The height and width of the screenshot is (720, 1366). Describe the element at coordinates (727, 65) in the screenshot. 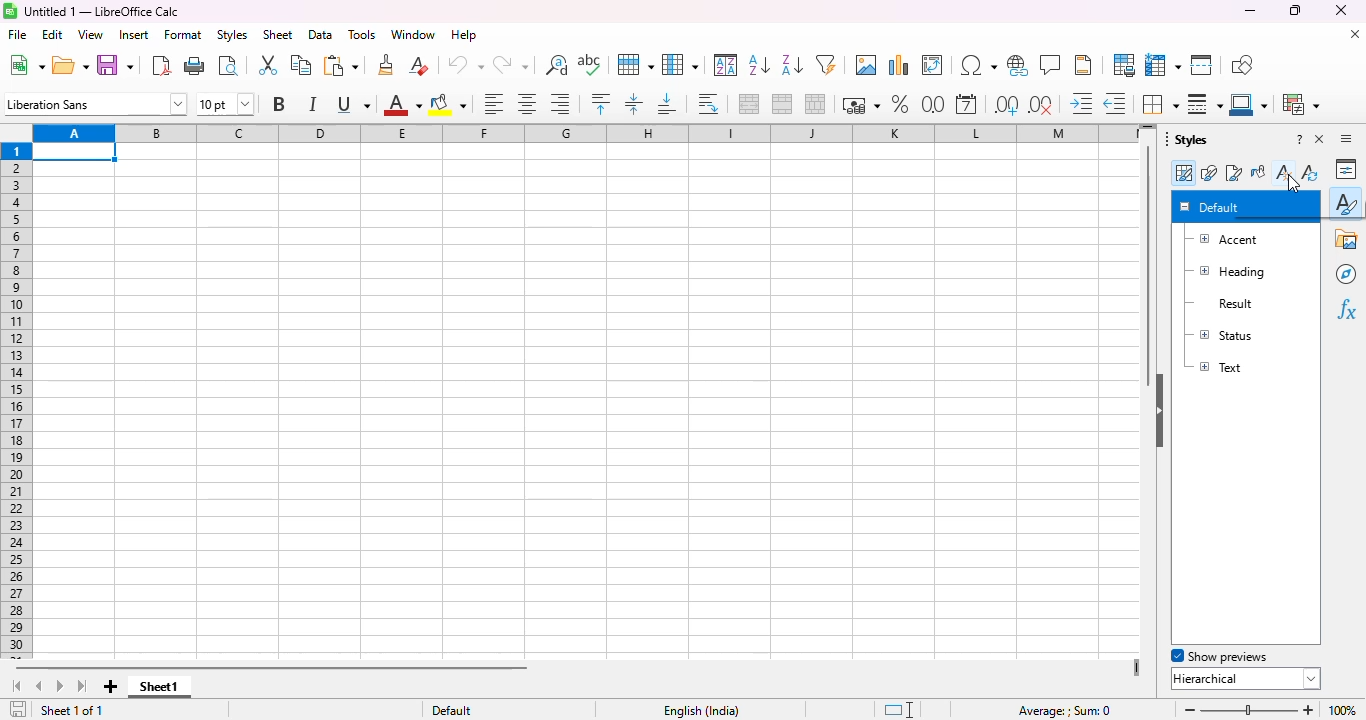

I see `sort` at that location.